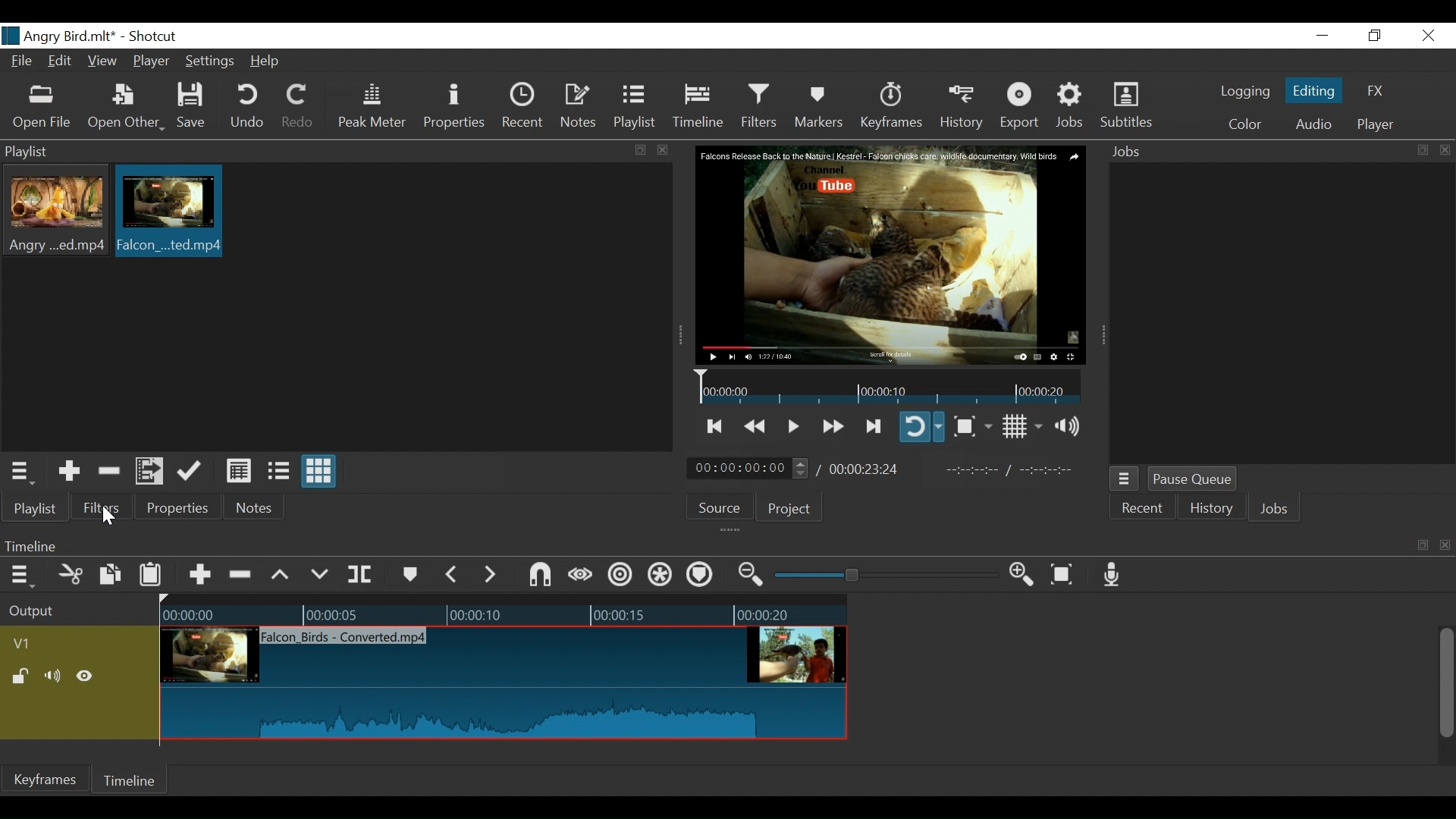  Describe the element at coordinates (108, 514) in the screenshot. I see `Cursor` at that location.